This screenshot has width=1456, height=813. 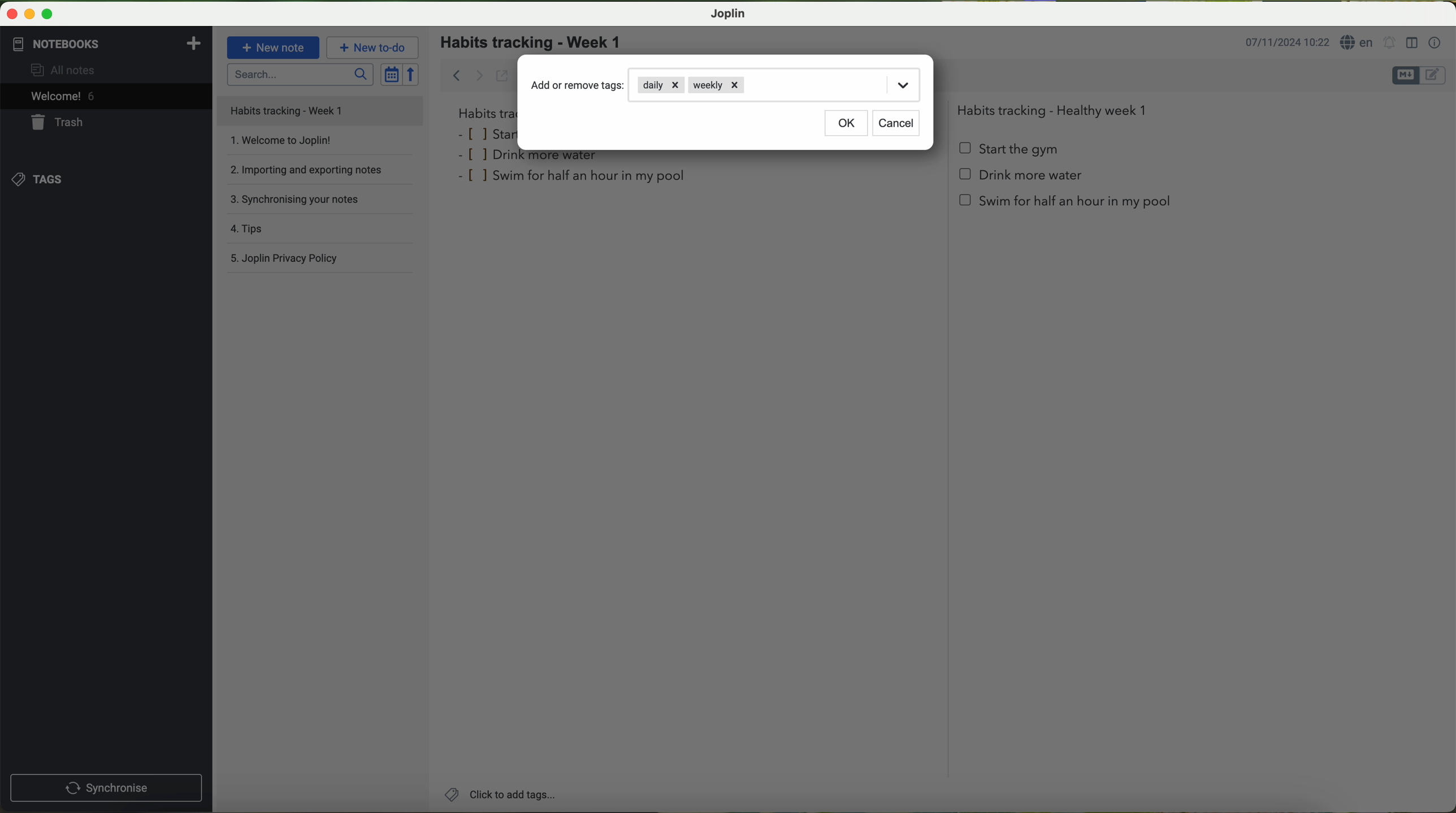 What do you see at coordinates (1287, 41) in the screenshot?
I see `date and hour` at bounding box center [1287, 41].